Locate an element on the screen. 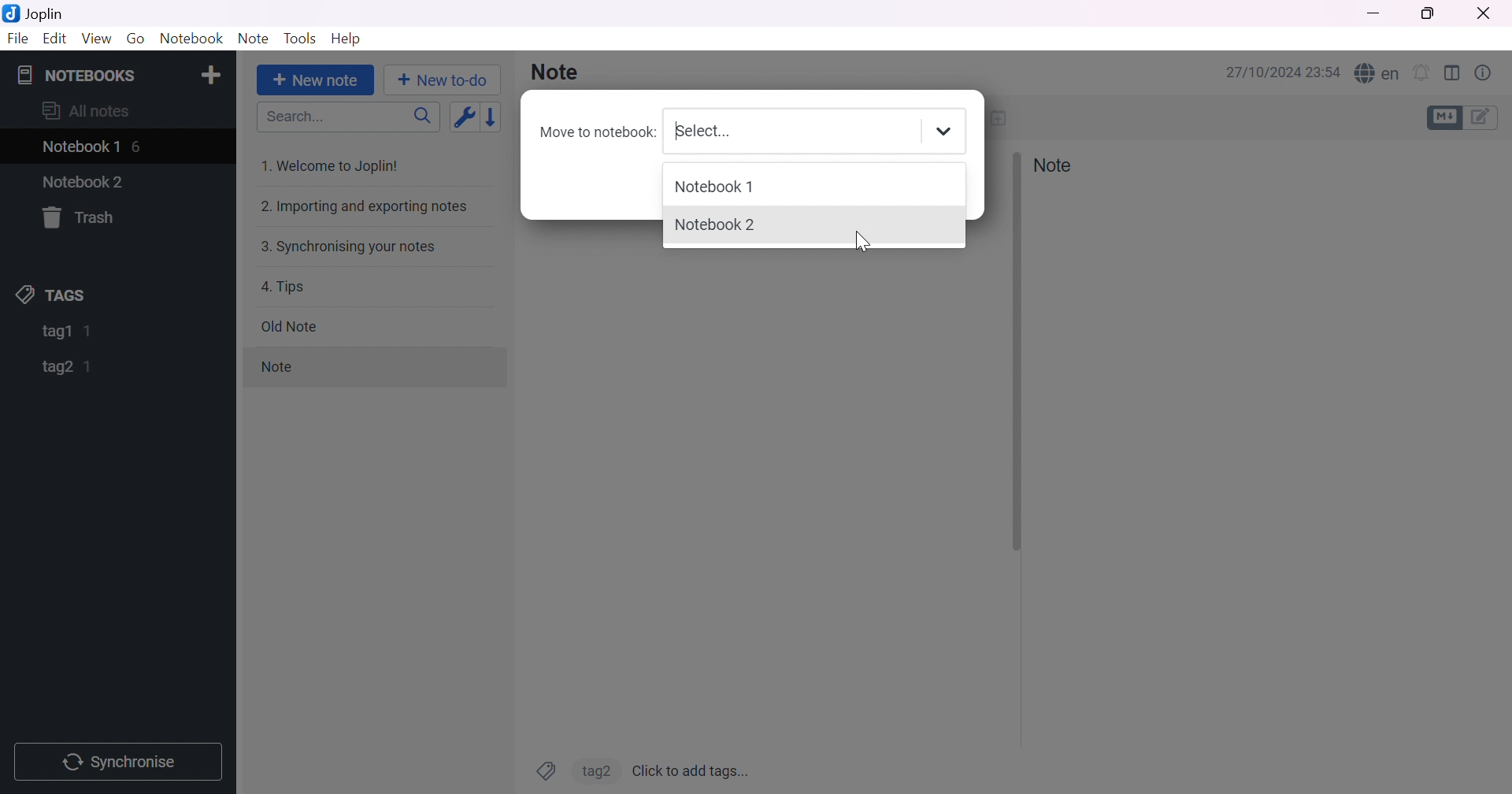 Image resolution: width=1512 pixels, height=794 pixels. Move to notebook: is located at coordinates (596, 132).